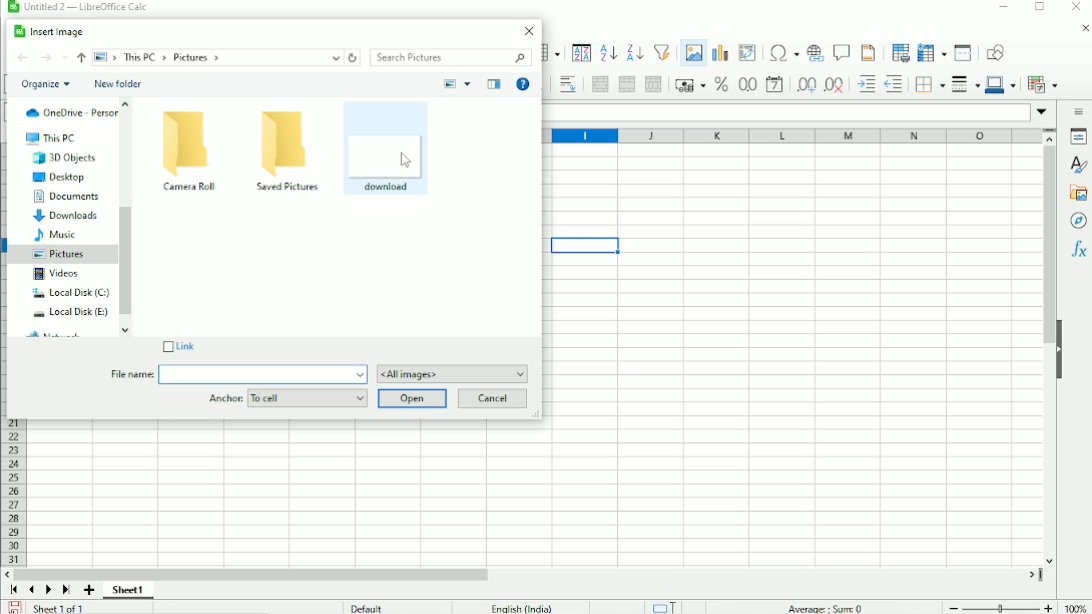  What do you see at coordinates (843, 52) in the screenshot?
I see `Insert comments` at bounding box center [843, 52].